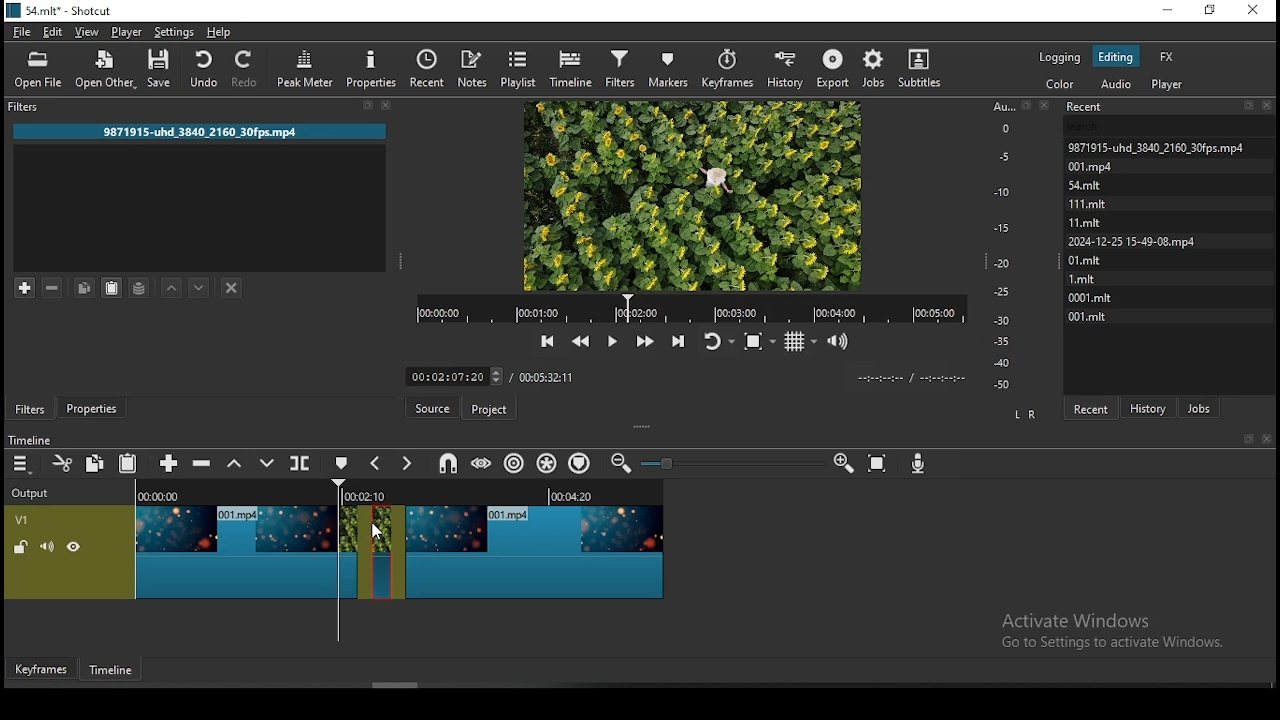 The image size is (1280, 720). I want to click on (un)mute, so click(47, 546).